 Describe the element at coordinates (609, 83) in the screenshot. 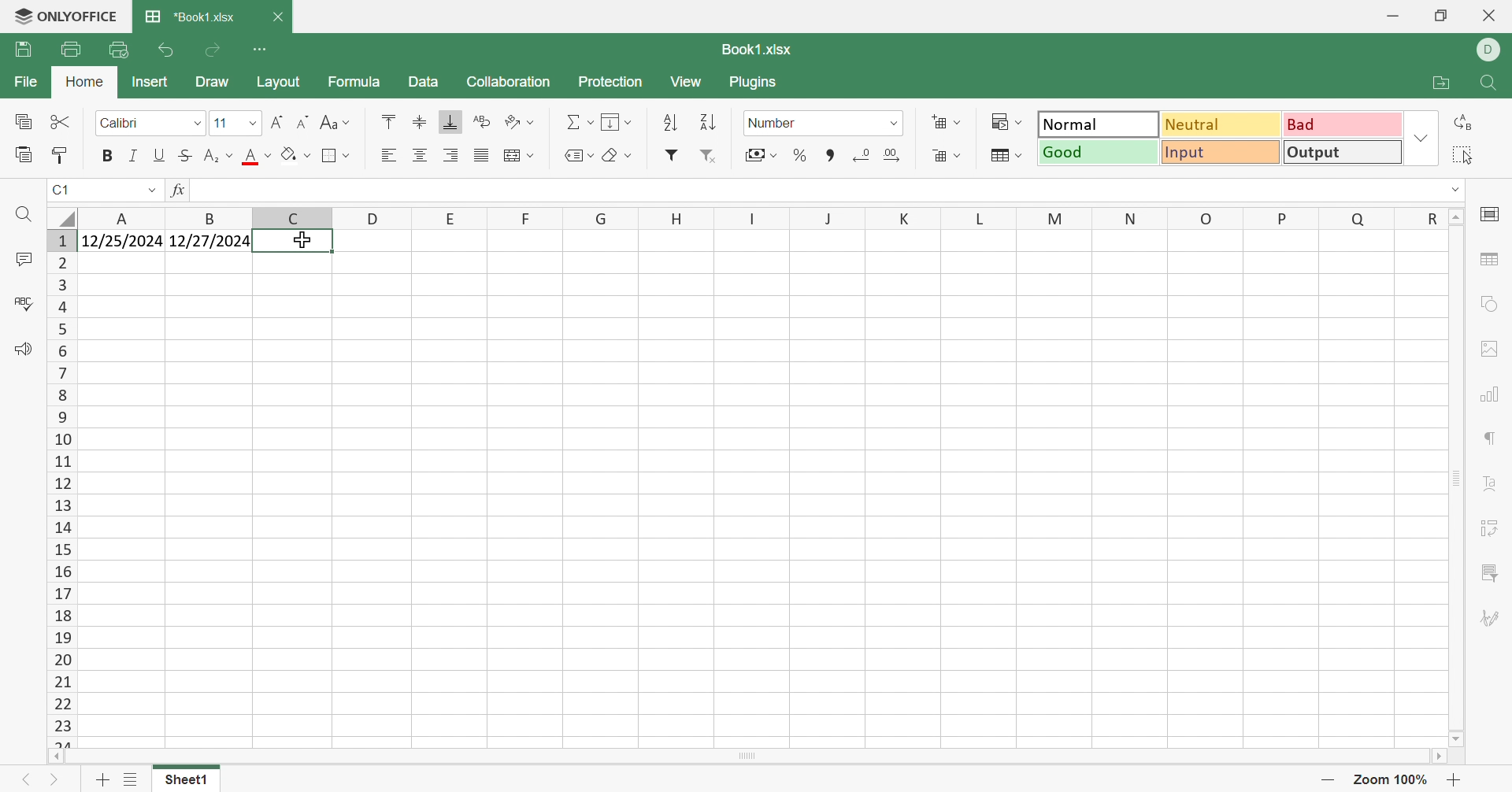

I see `Protection` at that location.